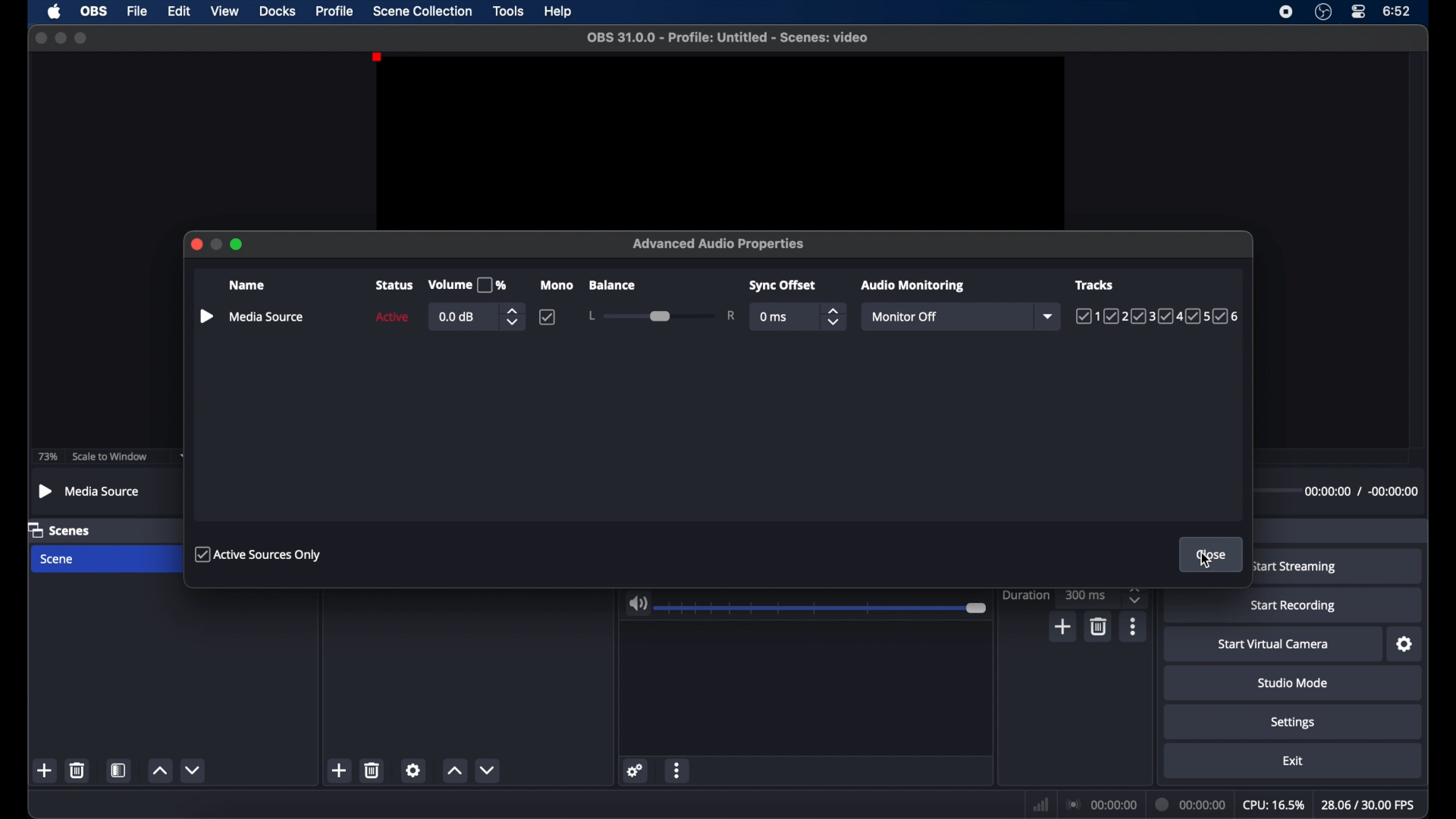  What do you see at coordinates (1405, 645) in the screenshot?
I see `settings` at bounding box center [1405, 645].